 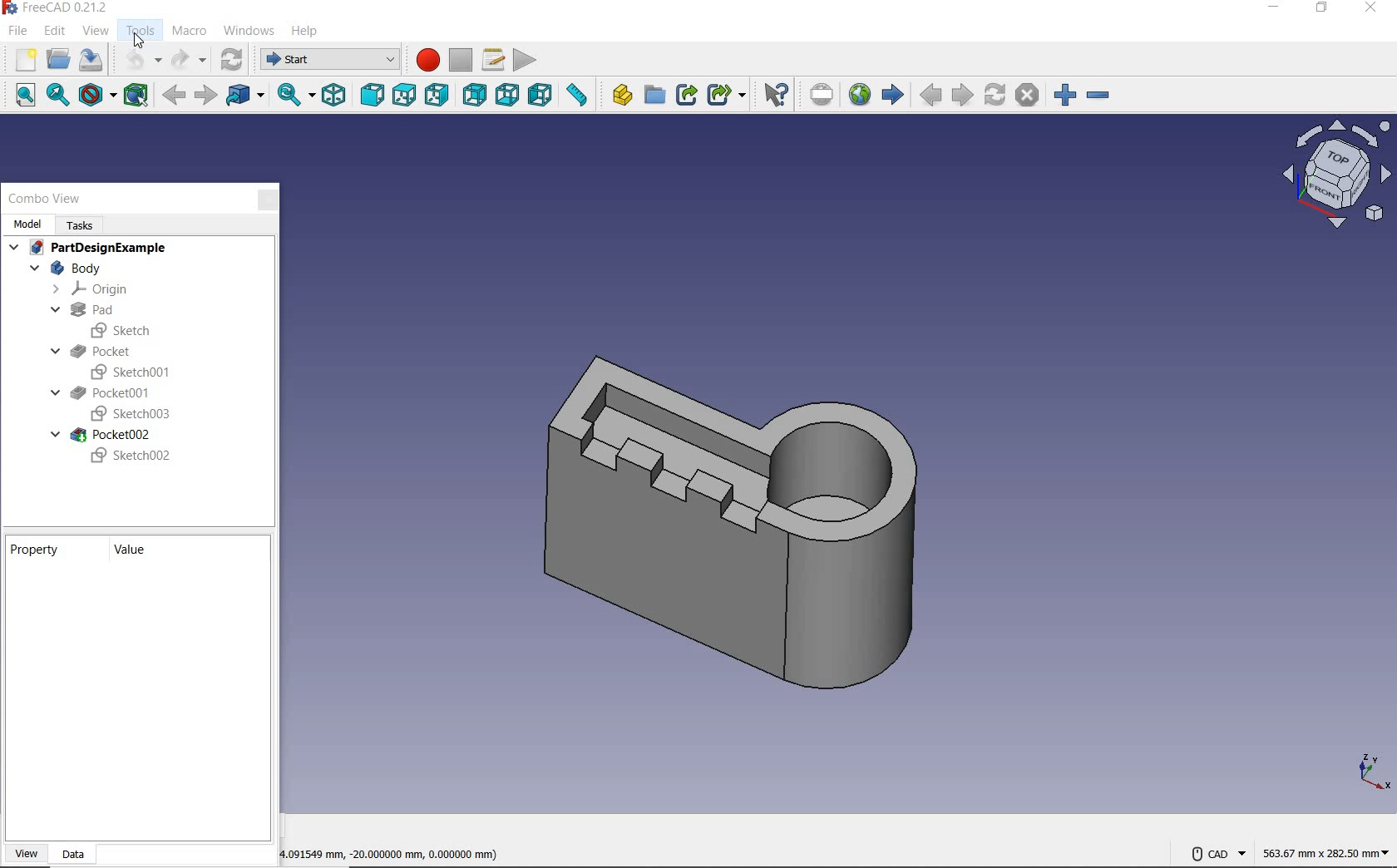 What do you see at coordinates (97, 30) in the screenshot?
I see `View` at bounding box center [97, 30].